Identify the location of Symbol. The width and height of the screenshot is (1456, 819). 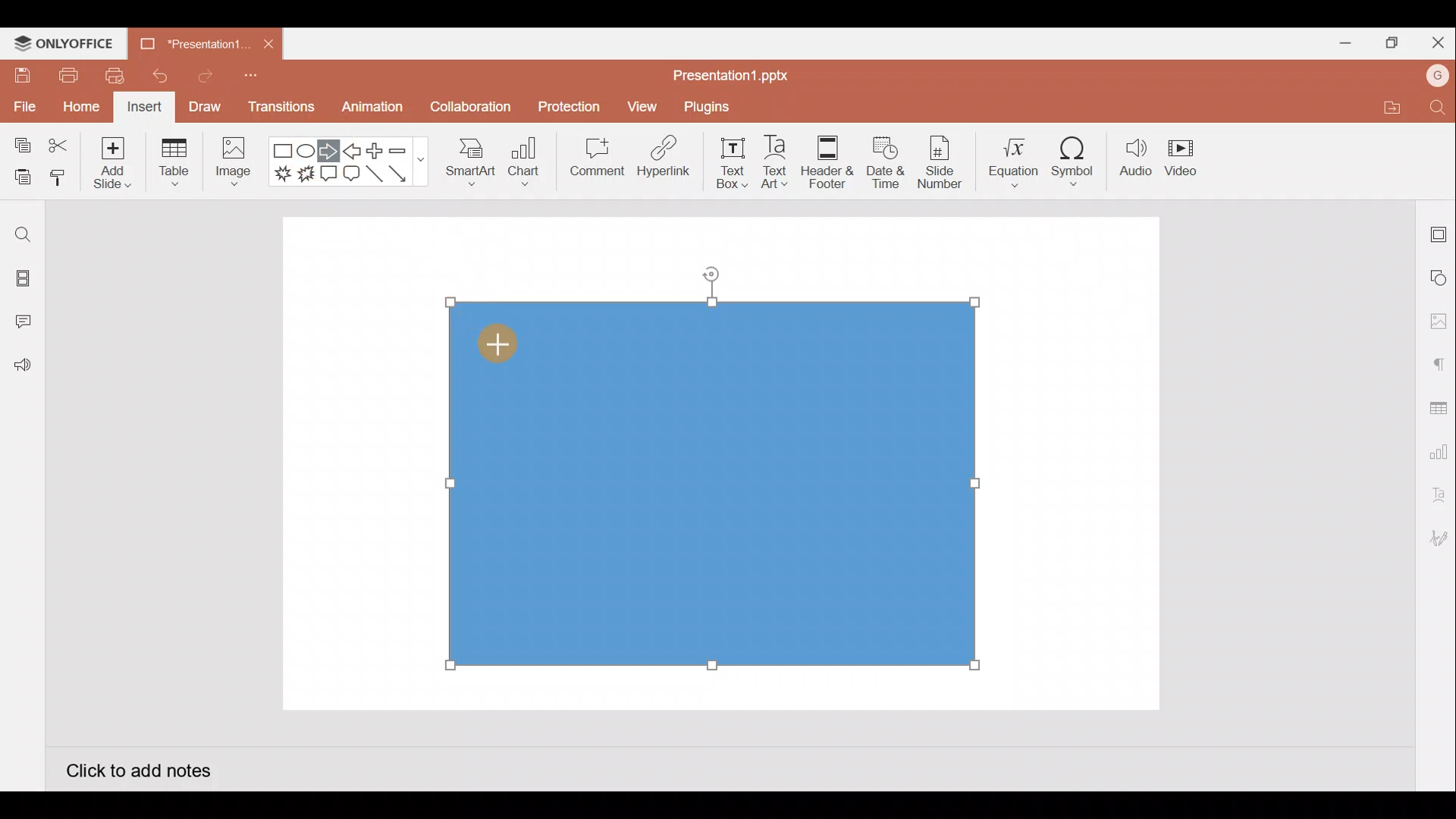
(1074, 158).